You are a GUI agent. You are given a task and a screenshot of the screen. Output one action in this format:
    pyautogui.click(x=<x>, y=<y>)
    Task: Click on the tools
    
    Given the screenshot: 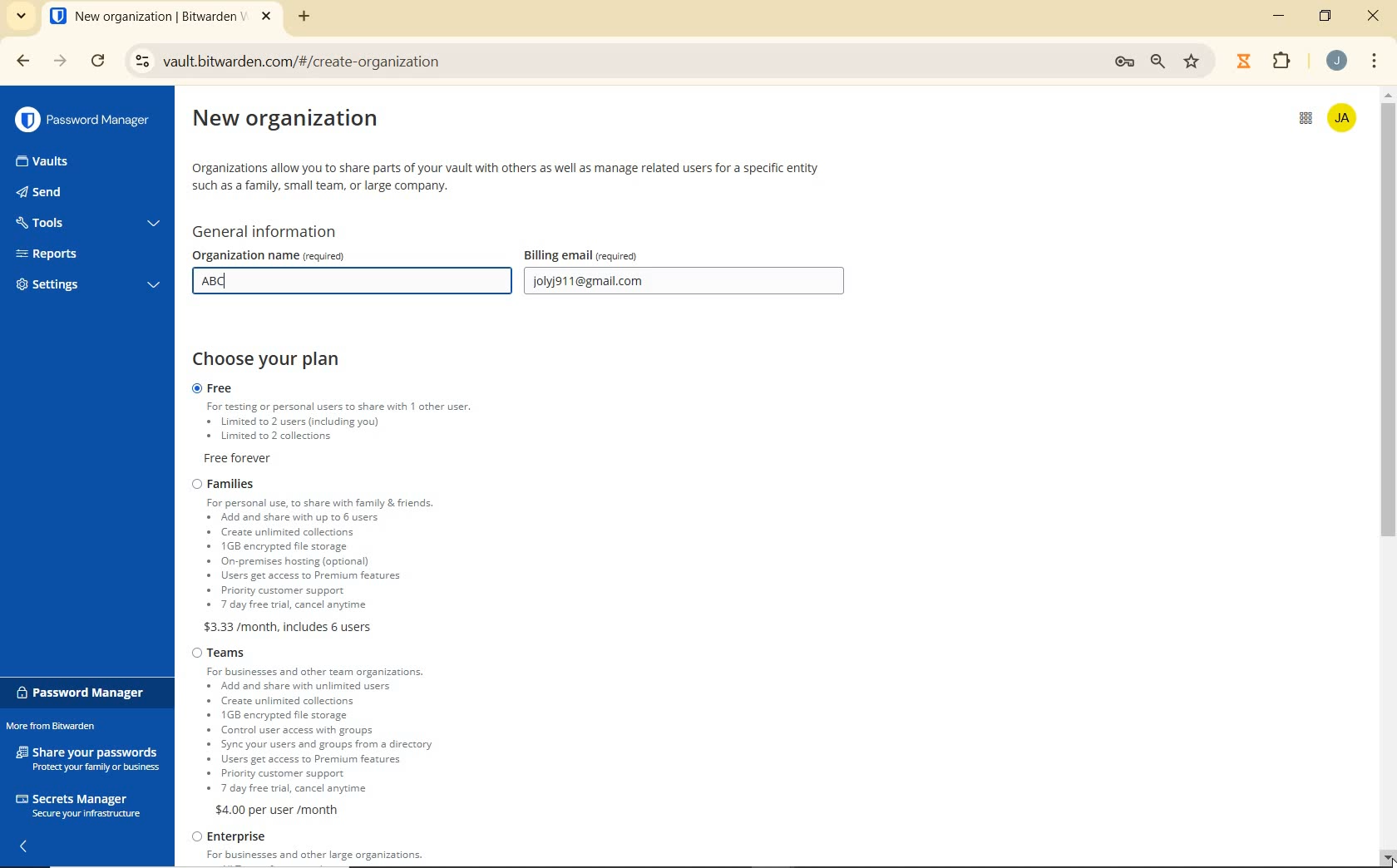 What is the action you would take?
    pyautogui.click(x=86, y=224)
    